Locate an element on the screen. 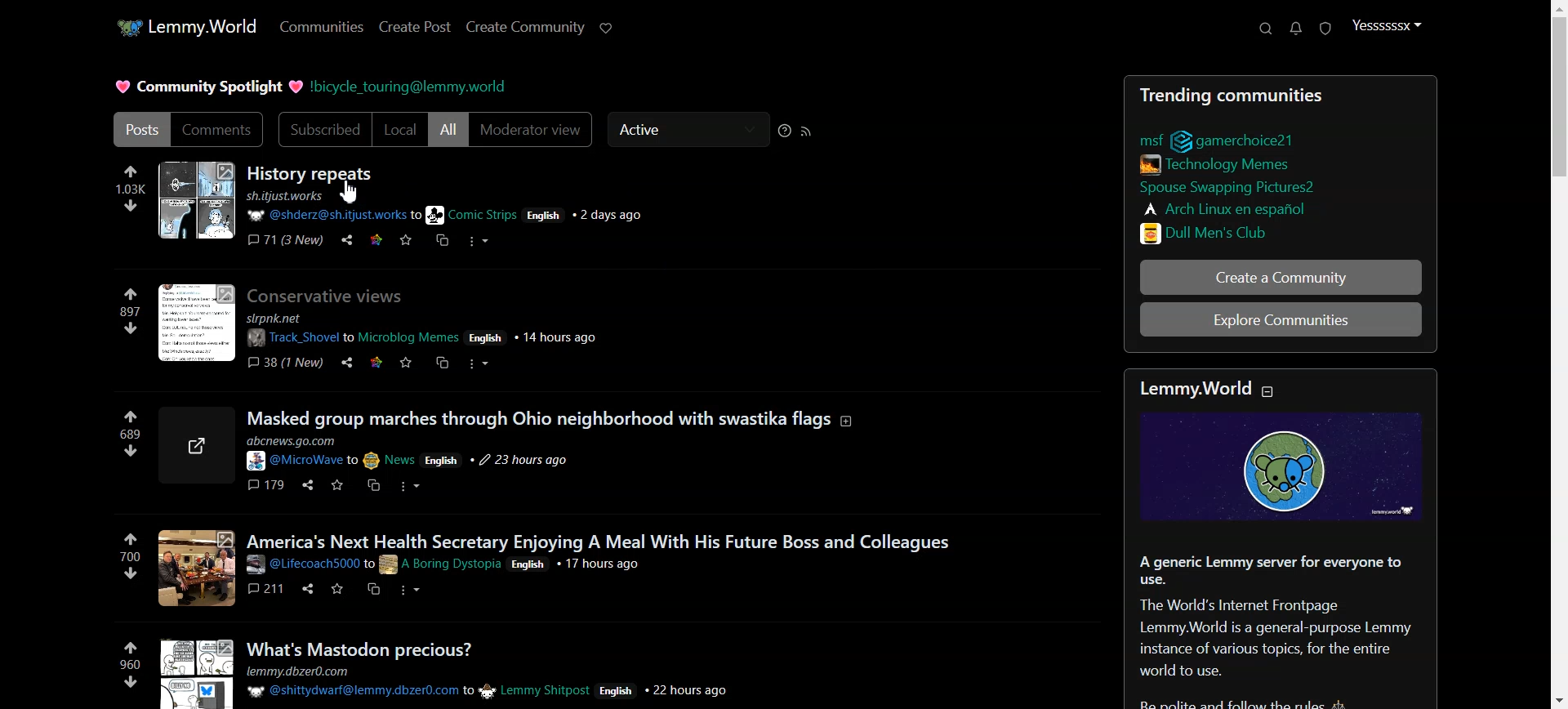 The image size is (1568, 709). to A Boring Dystopia English is located at coordinates (454, 566).